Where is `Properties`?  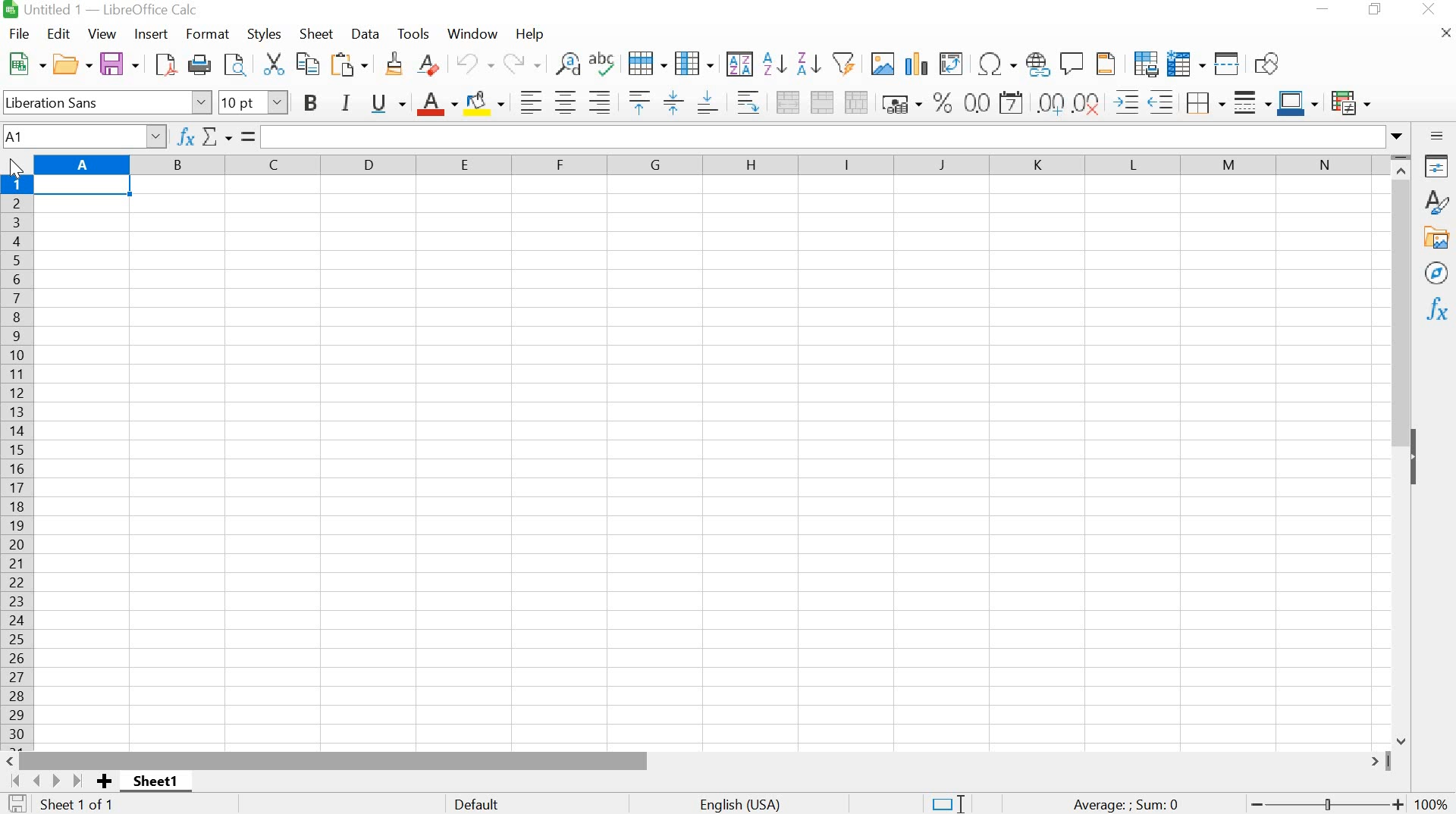
Properties is located at coordinates (1437, 169).